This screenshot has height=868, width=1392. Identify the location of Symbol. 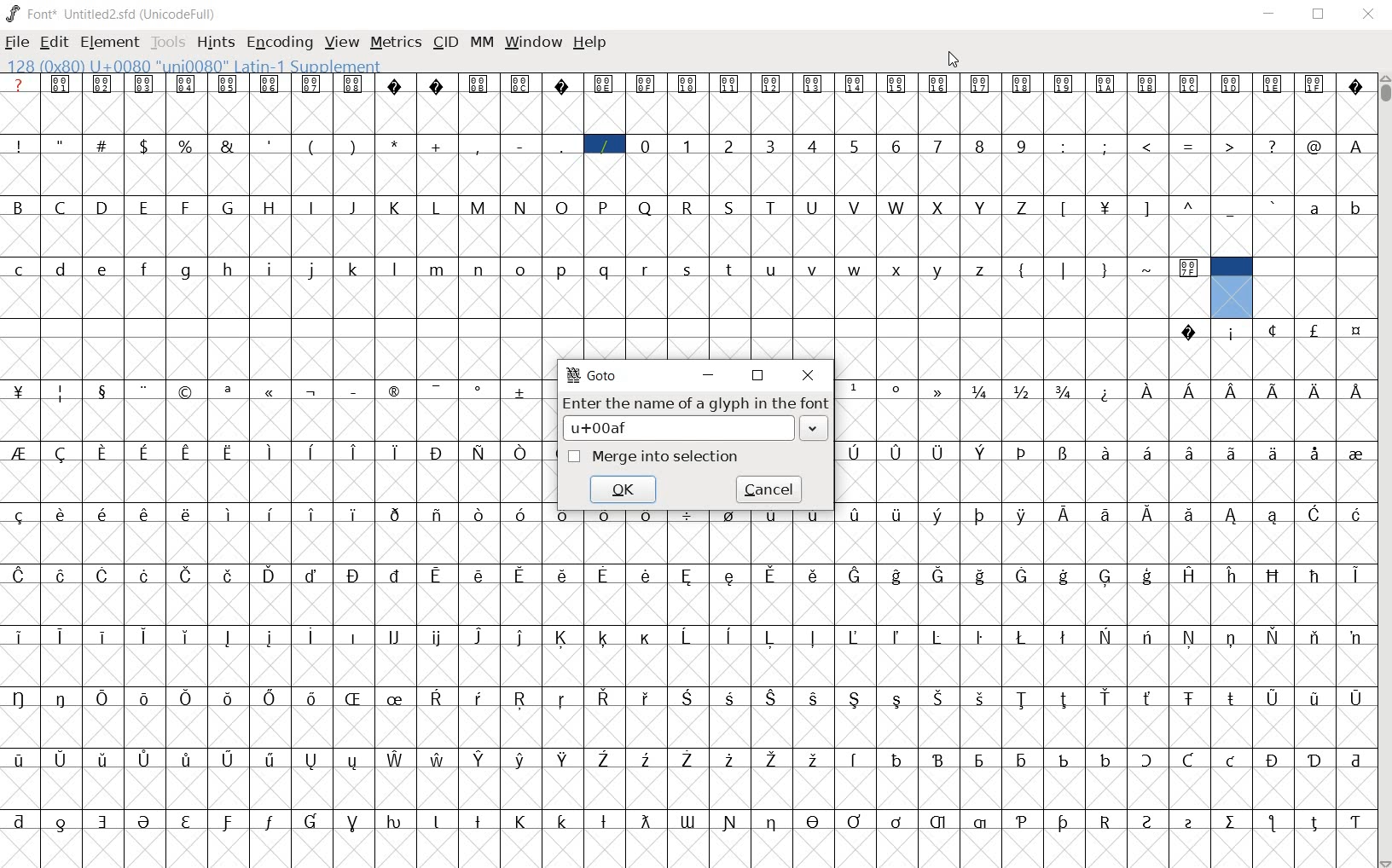
(1107, 697).